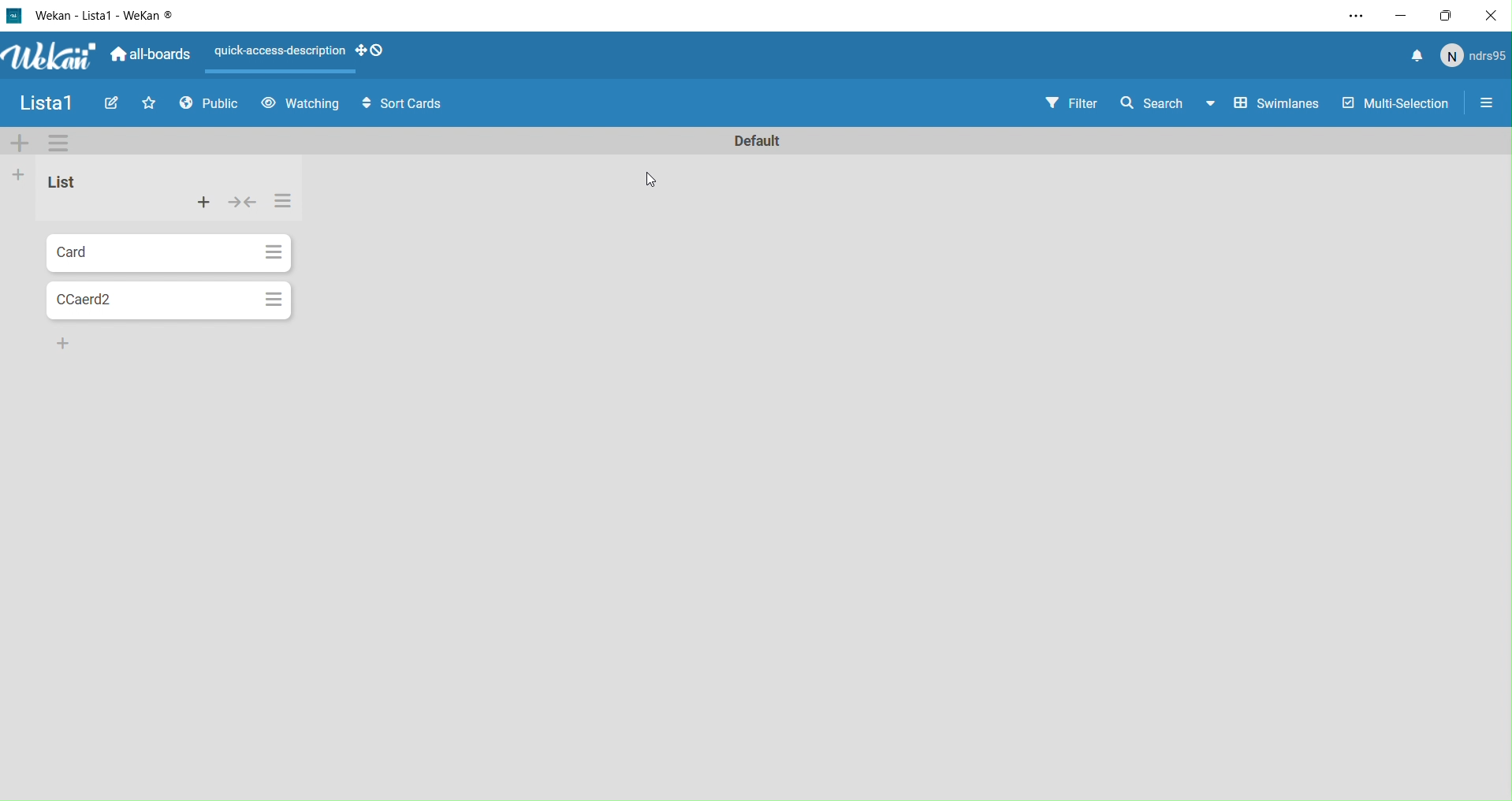 The image size is (1512, 801). What do you see at coordinates (1410, 55) in the screenshot?
I see `Notifications` at bounding box center [1410, 55].